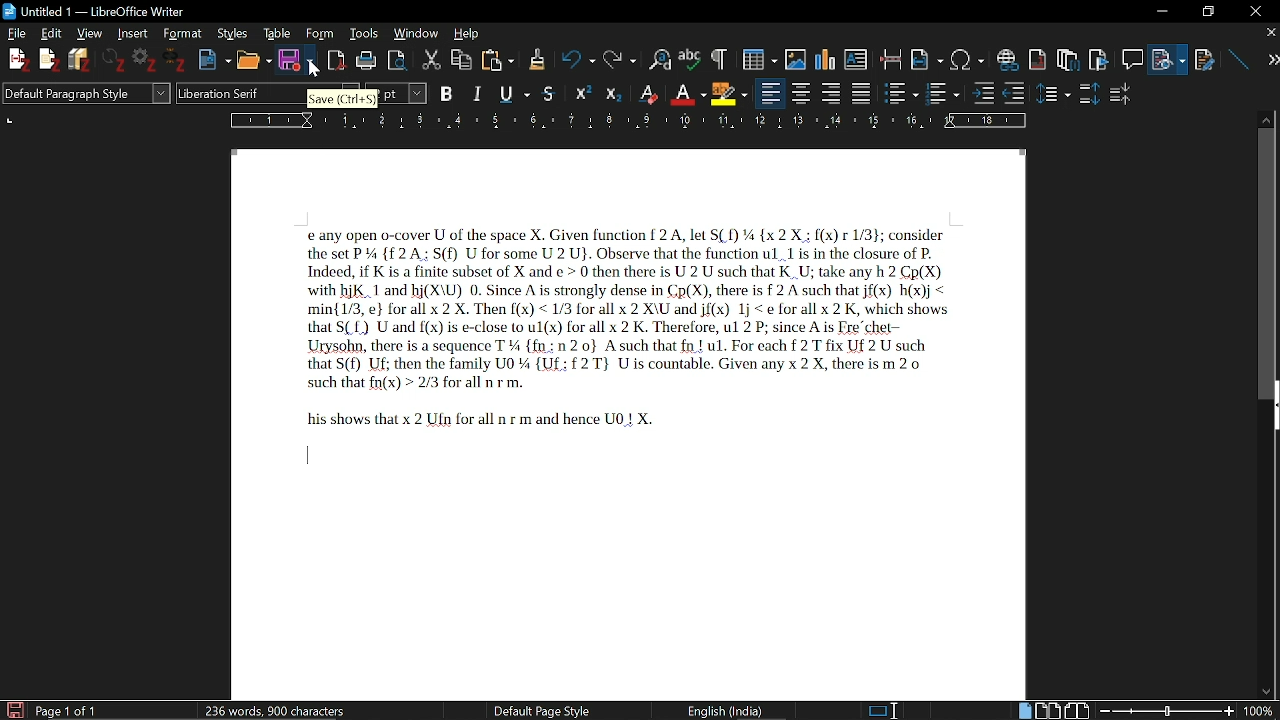 This screenshot has width=1280, height=720. What do you see at coordinates (1267, 262) in the screenshot?
I see `vertical scroll bar` at bounding box center [1267, 262].